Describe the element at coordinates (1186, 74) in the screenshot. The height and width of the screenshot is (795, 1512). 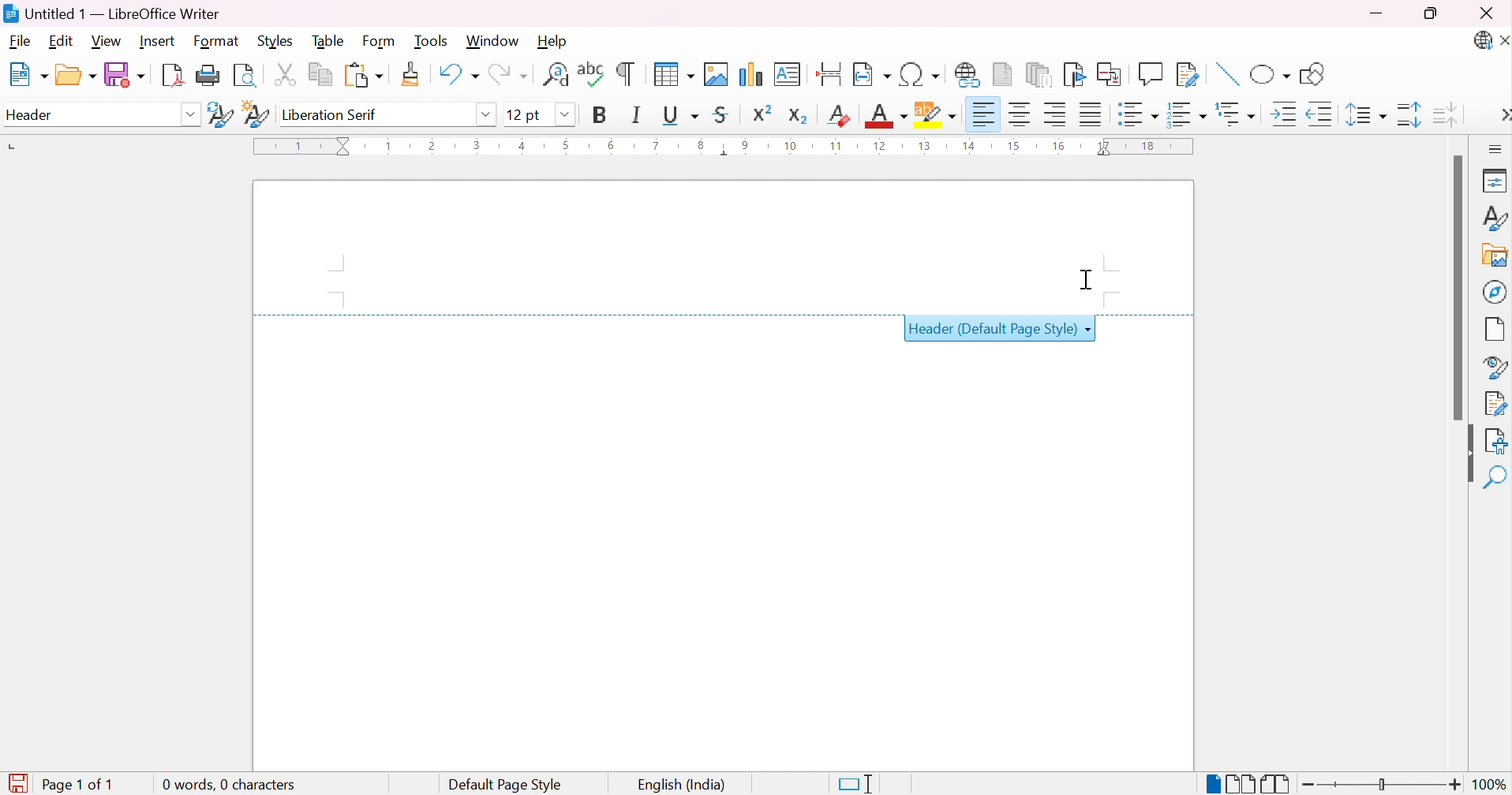
I see `Show track changes functions` at that location.